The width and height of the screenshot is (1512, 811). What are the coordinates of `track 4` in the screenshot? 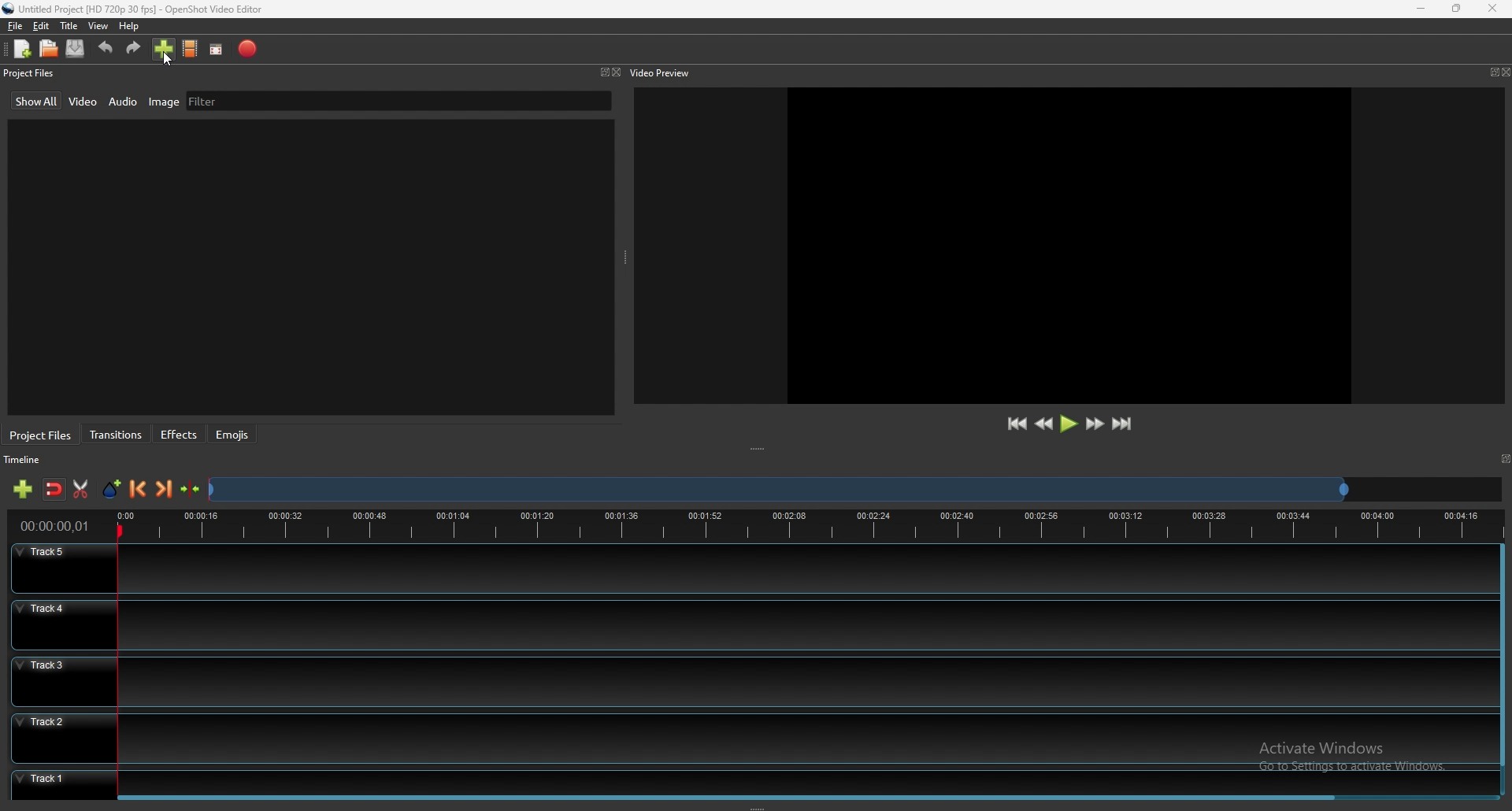 It's located at (749, 624).